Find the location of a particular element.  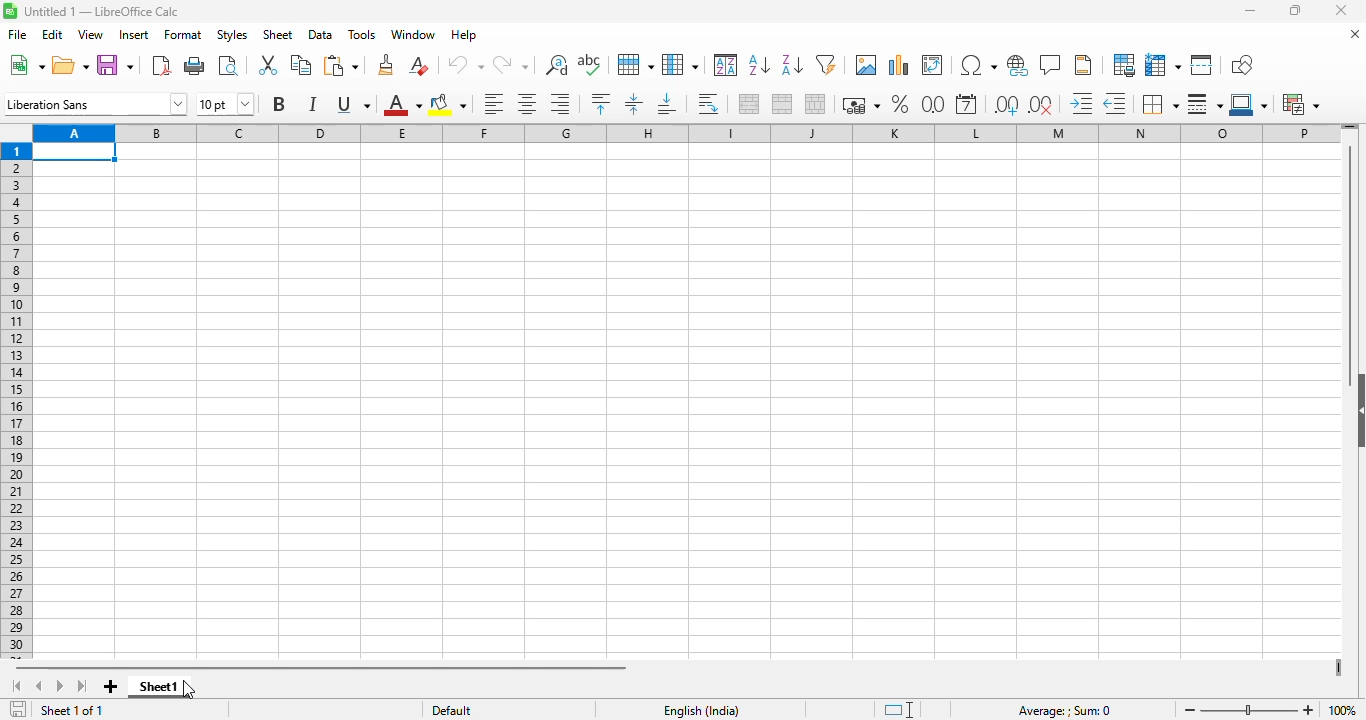

file is located at coordinates (16, 34).